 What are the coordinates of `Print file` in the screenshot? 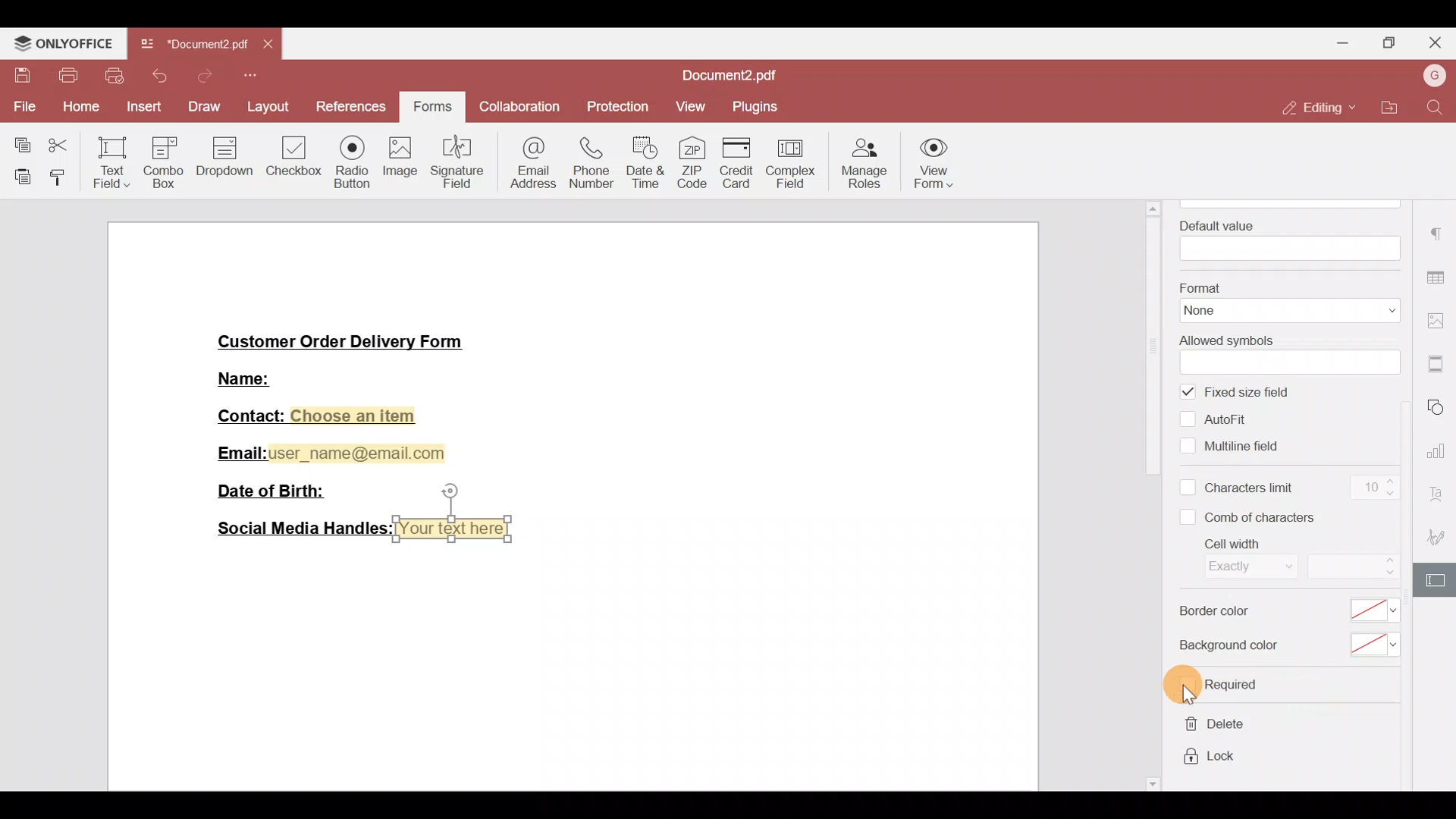 It's located at (66, 76).